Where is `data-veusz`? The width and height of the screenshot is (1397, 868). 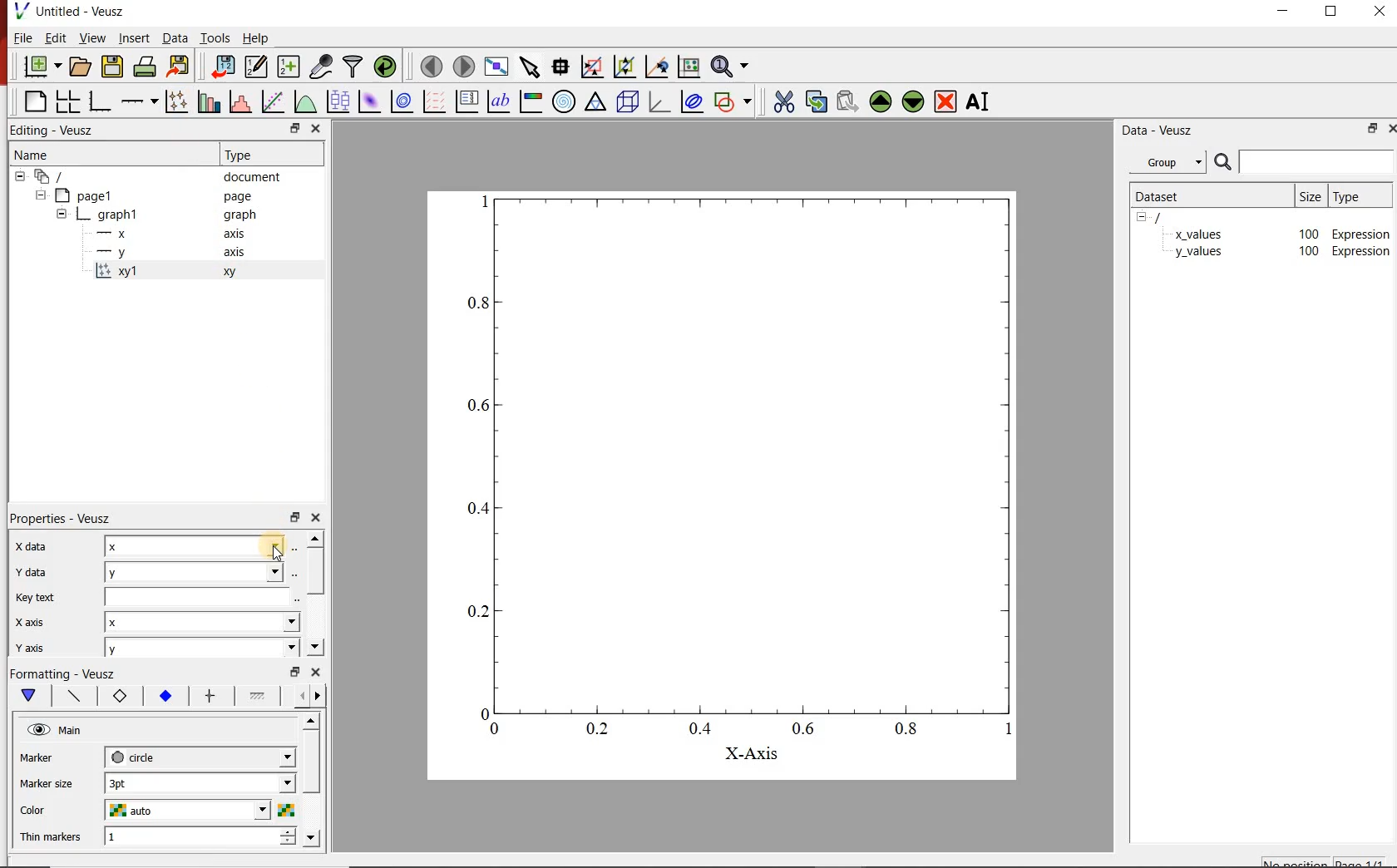
data-veusz is located at coordinates (1158, 132).